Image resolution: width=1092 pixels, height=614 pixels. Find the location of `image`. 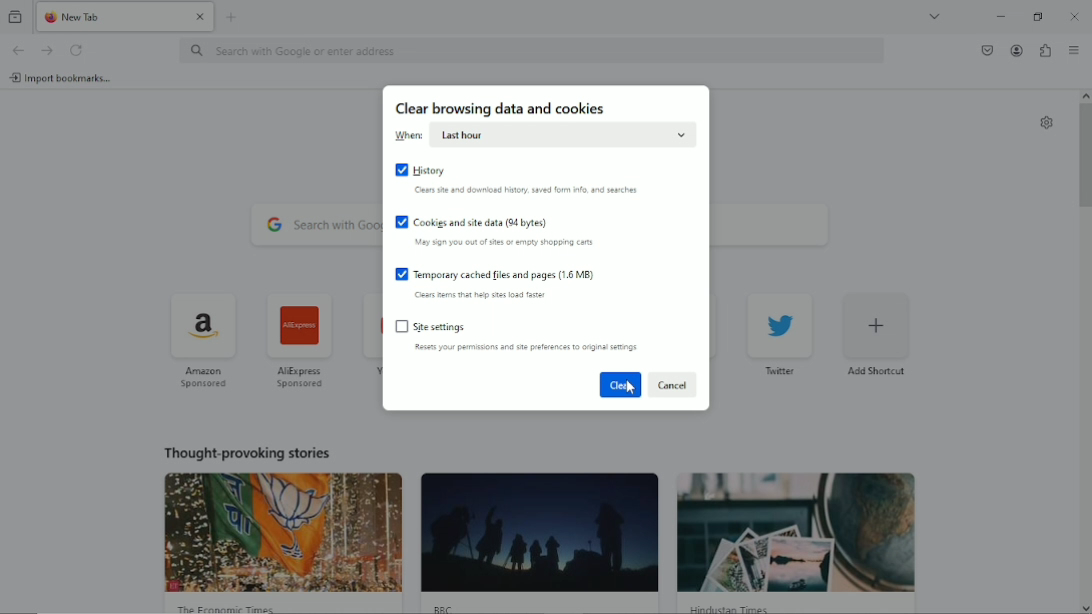

image is located at coordinates (285, 532).